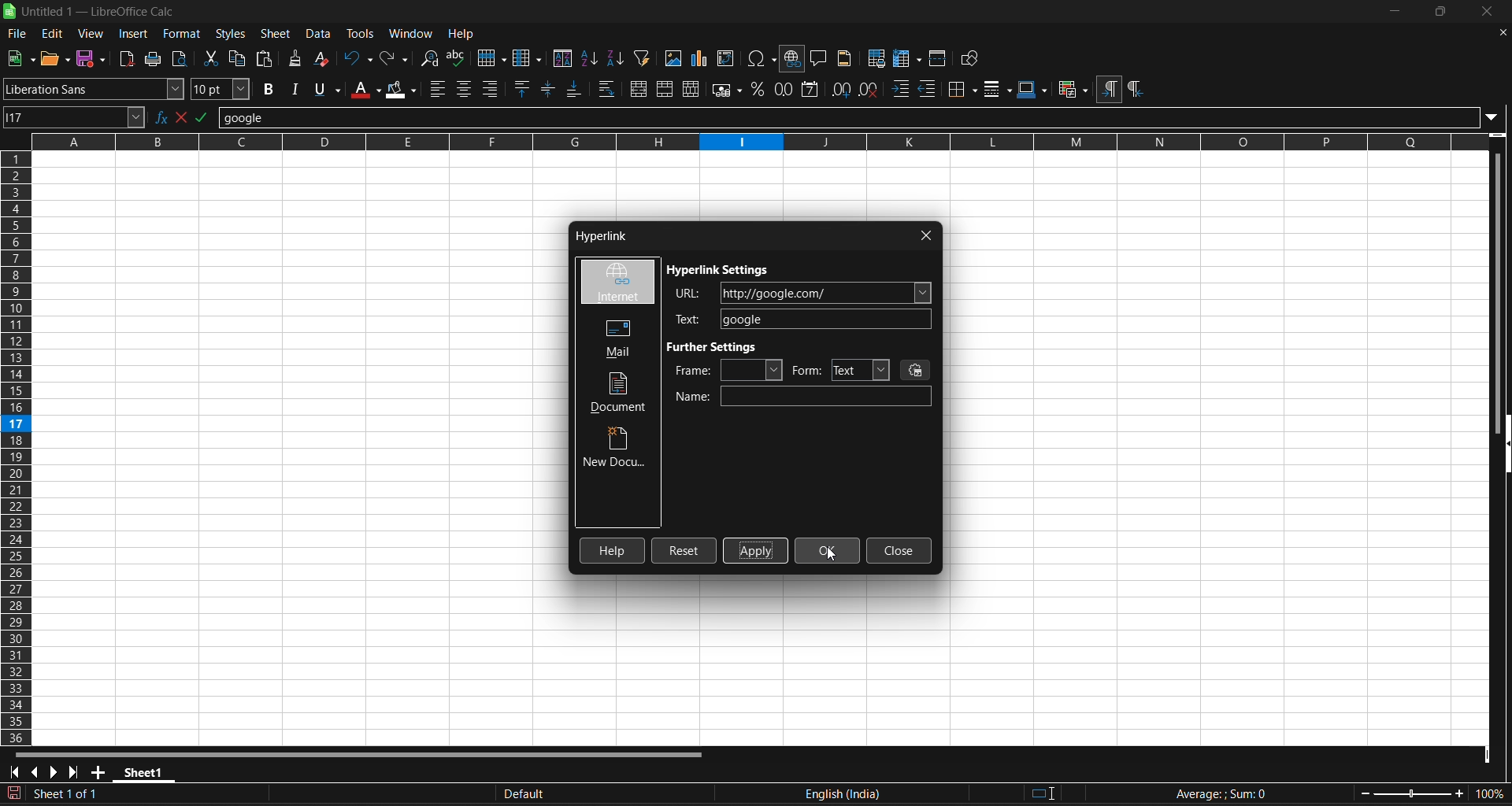  I want to click on hyperlink settings, so click(721, 271).